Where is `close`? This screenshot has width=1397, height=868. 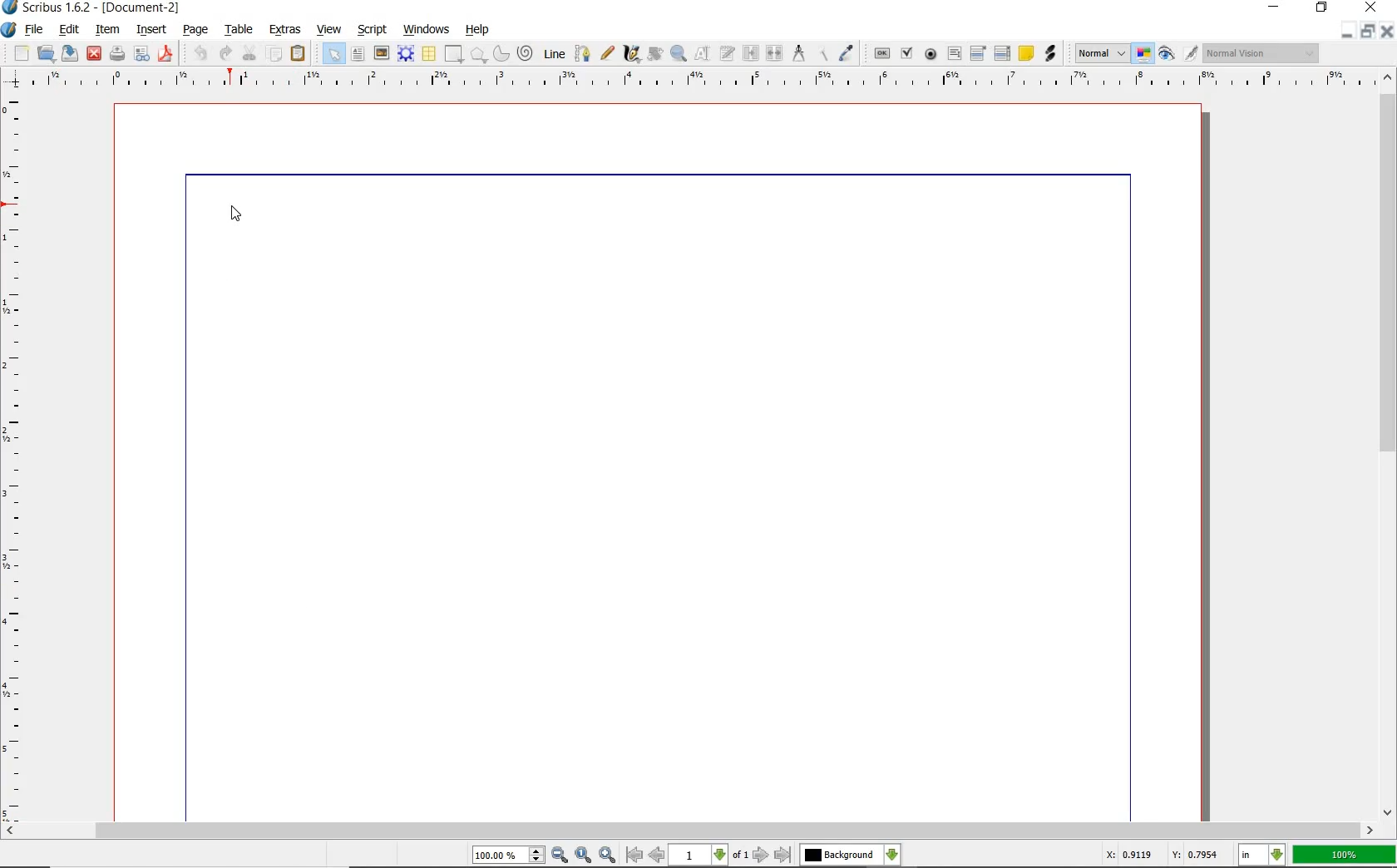
close is located at coordinates (93, 54).